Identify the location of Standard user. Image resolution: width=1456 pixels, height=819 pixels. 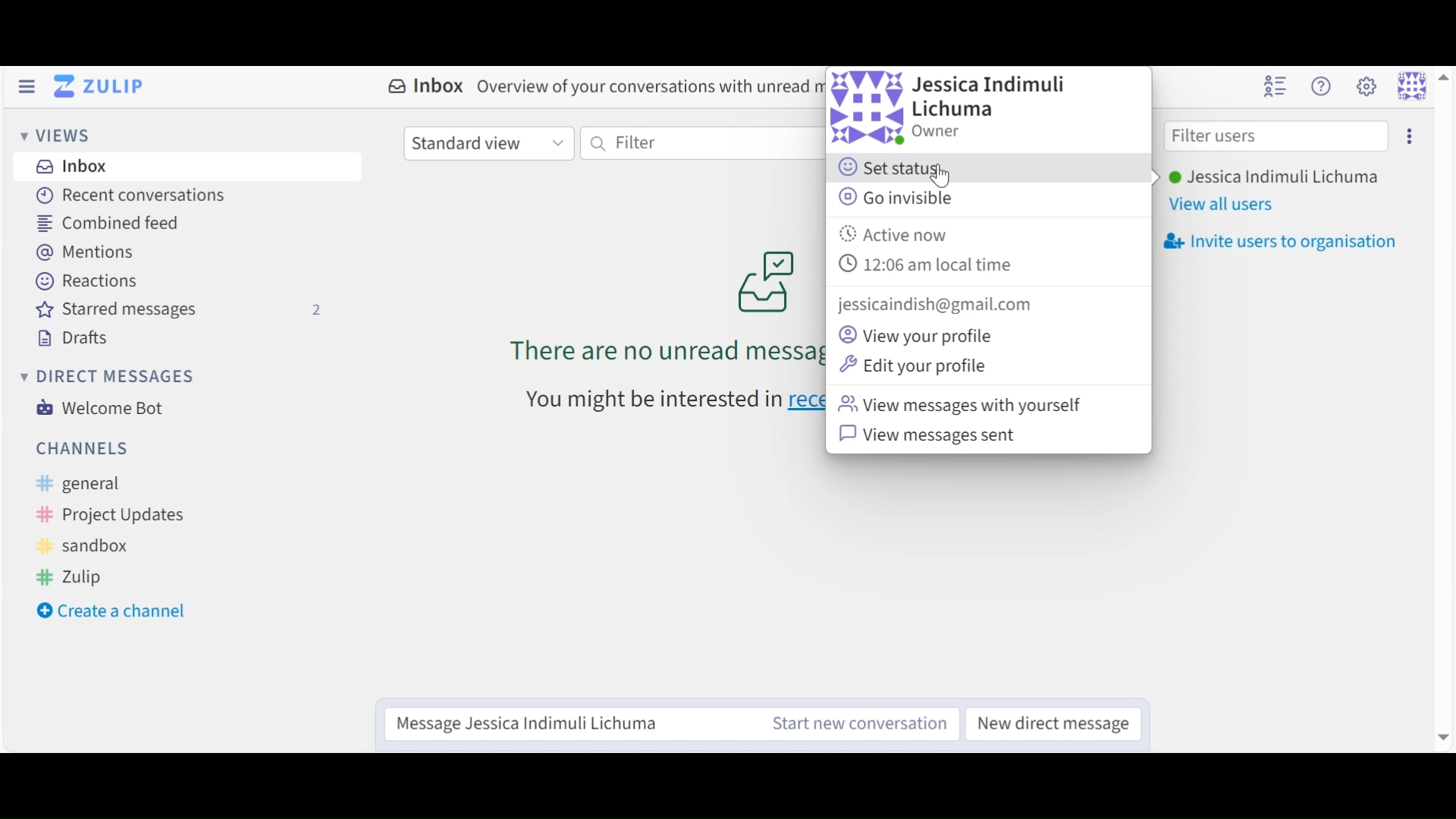
(488, 143).